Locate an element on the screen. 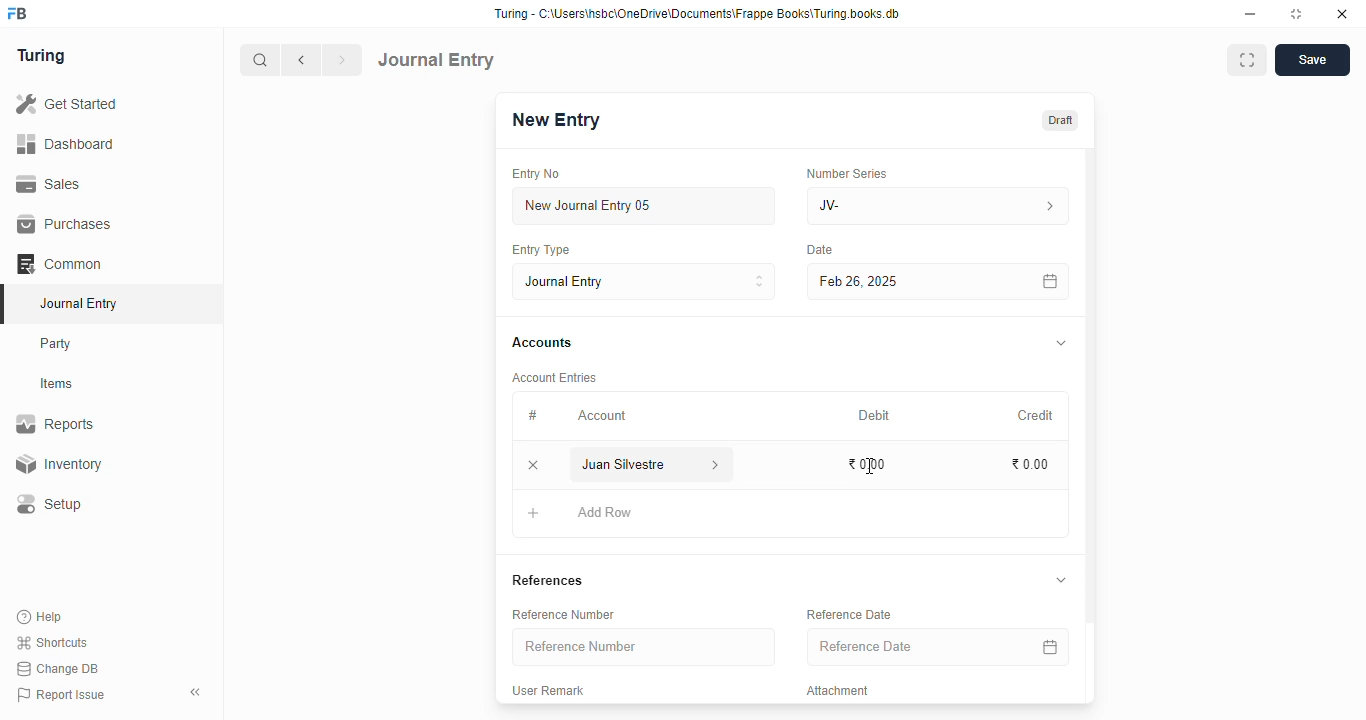 This screenshot has width=1366, height=720. reference date is located at coordinates (909, 647).